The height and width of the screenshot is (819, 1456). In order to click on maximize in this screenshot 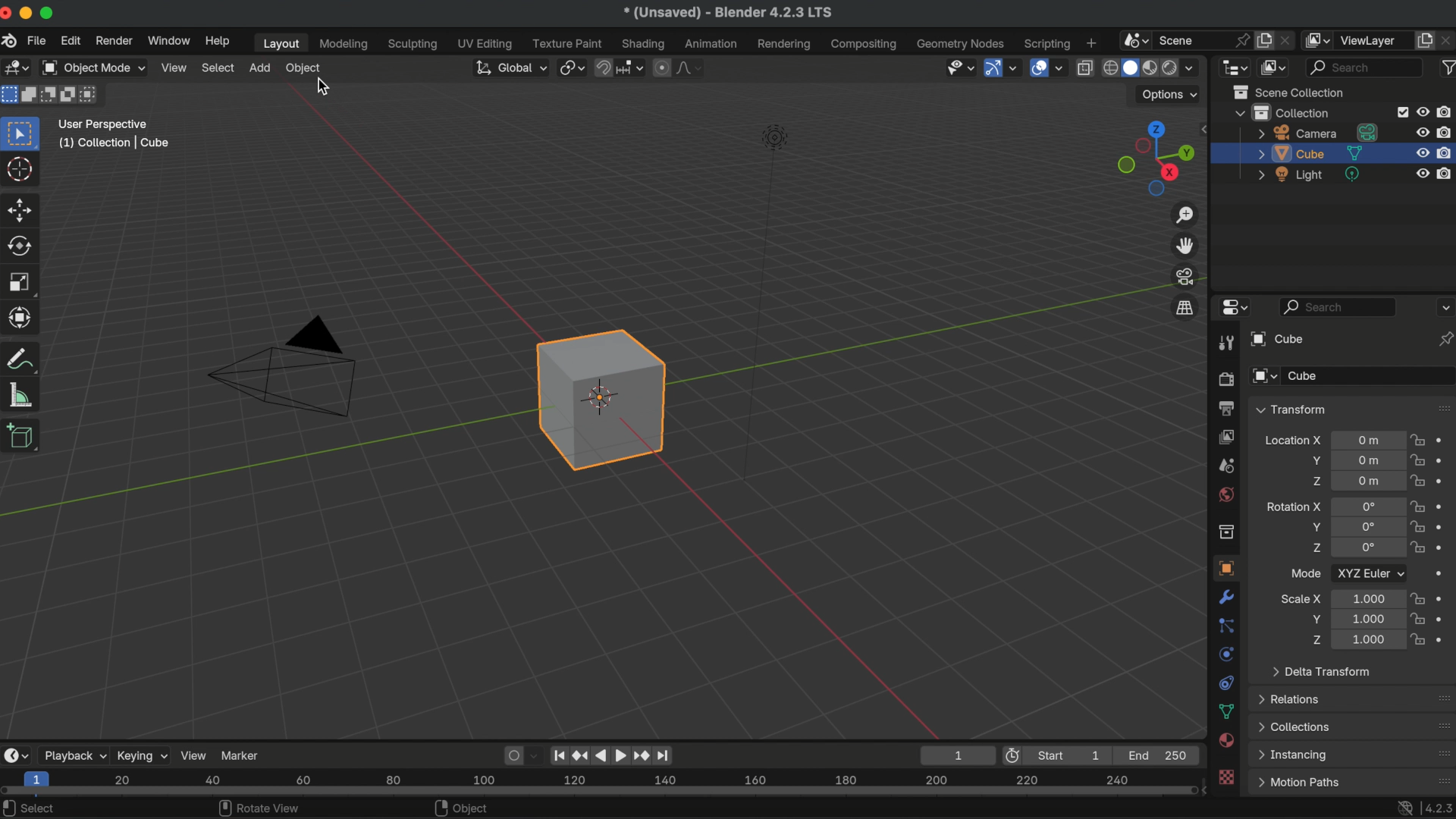, I will do `click(49, 12)`.